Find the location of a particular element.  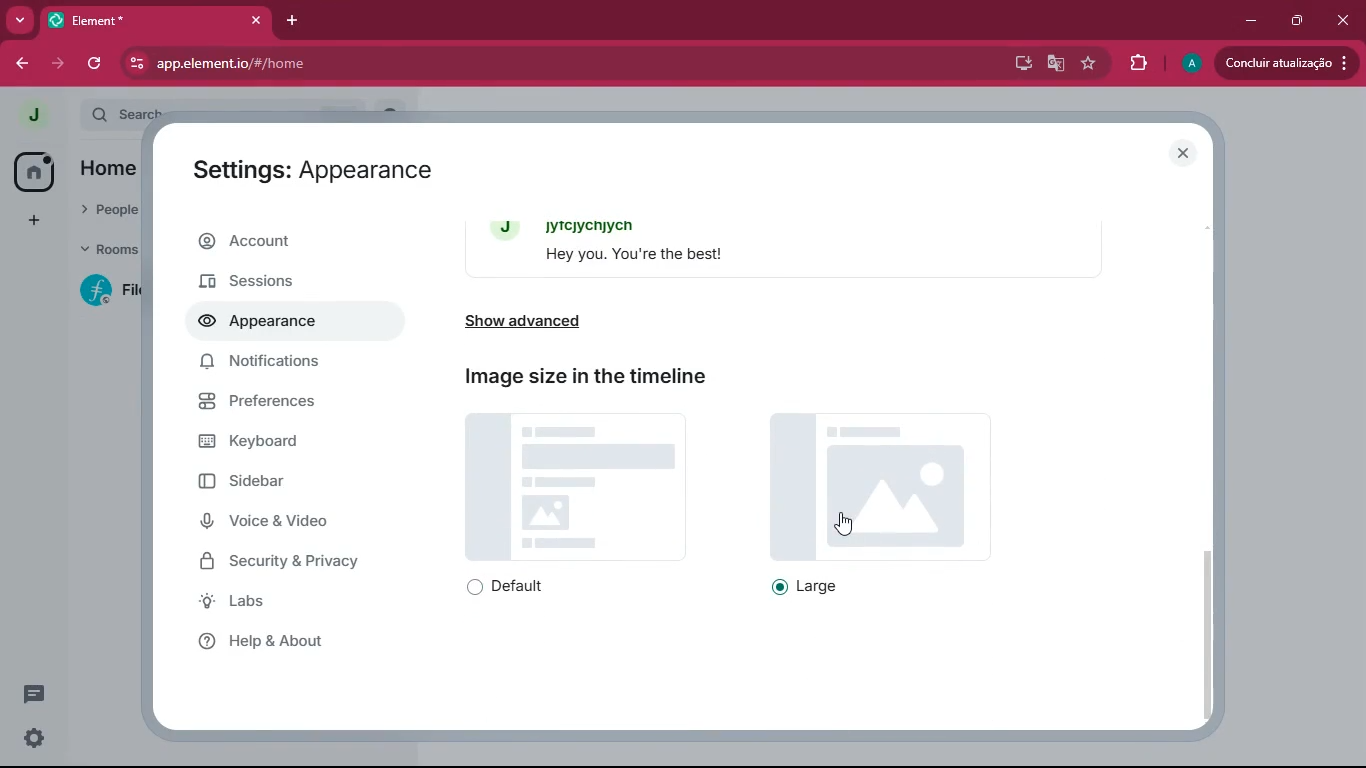

Condluir atualizacao is located at coordinates (1289, 66).